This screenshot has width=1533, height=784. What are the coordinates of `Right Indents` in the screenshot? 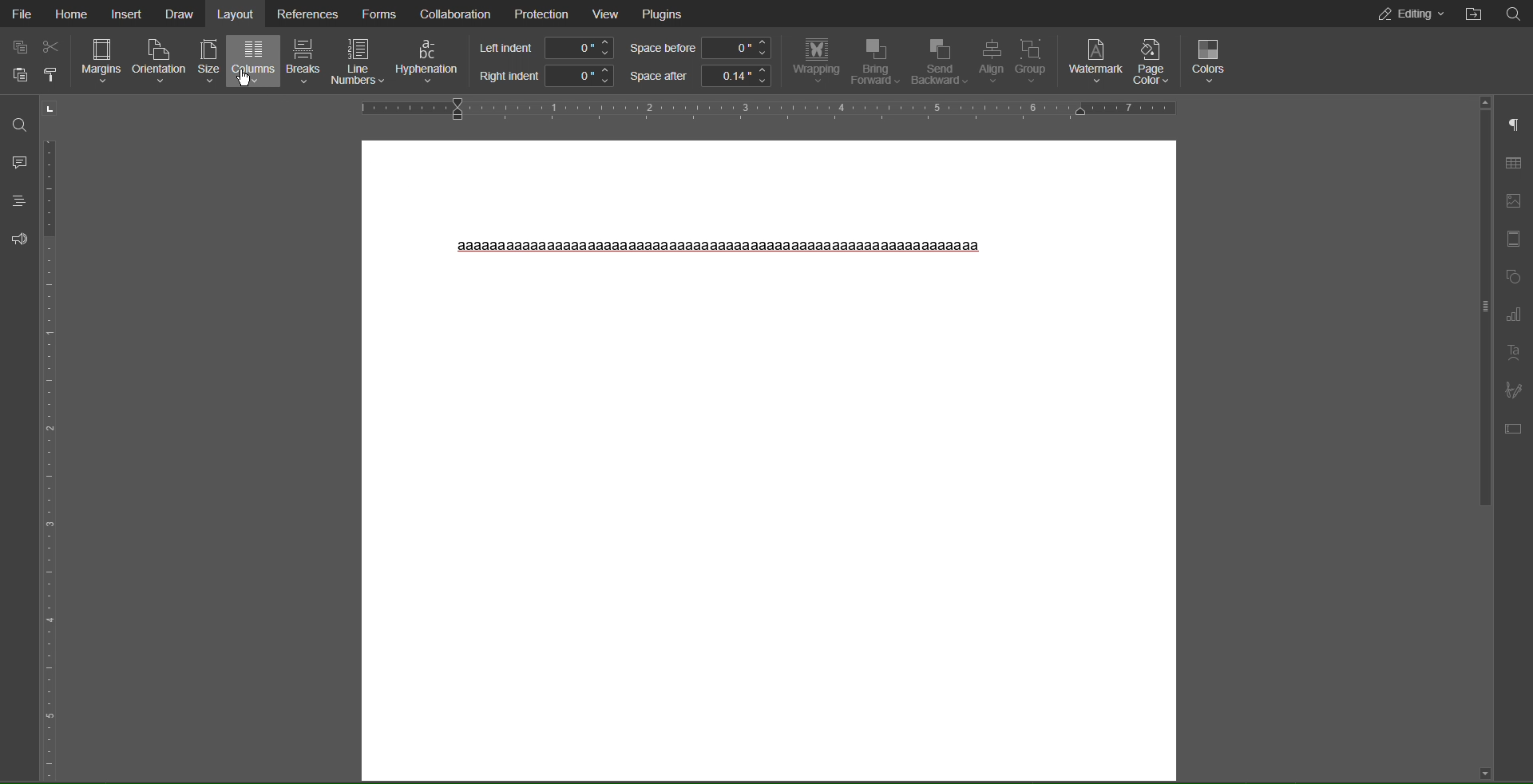 It's located at (543, 77).